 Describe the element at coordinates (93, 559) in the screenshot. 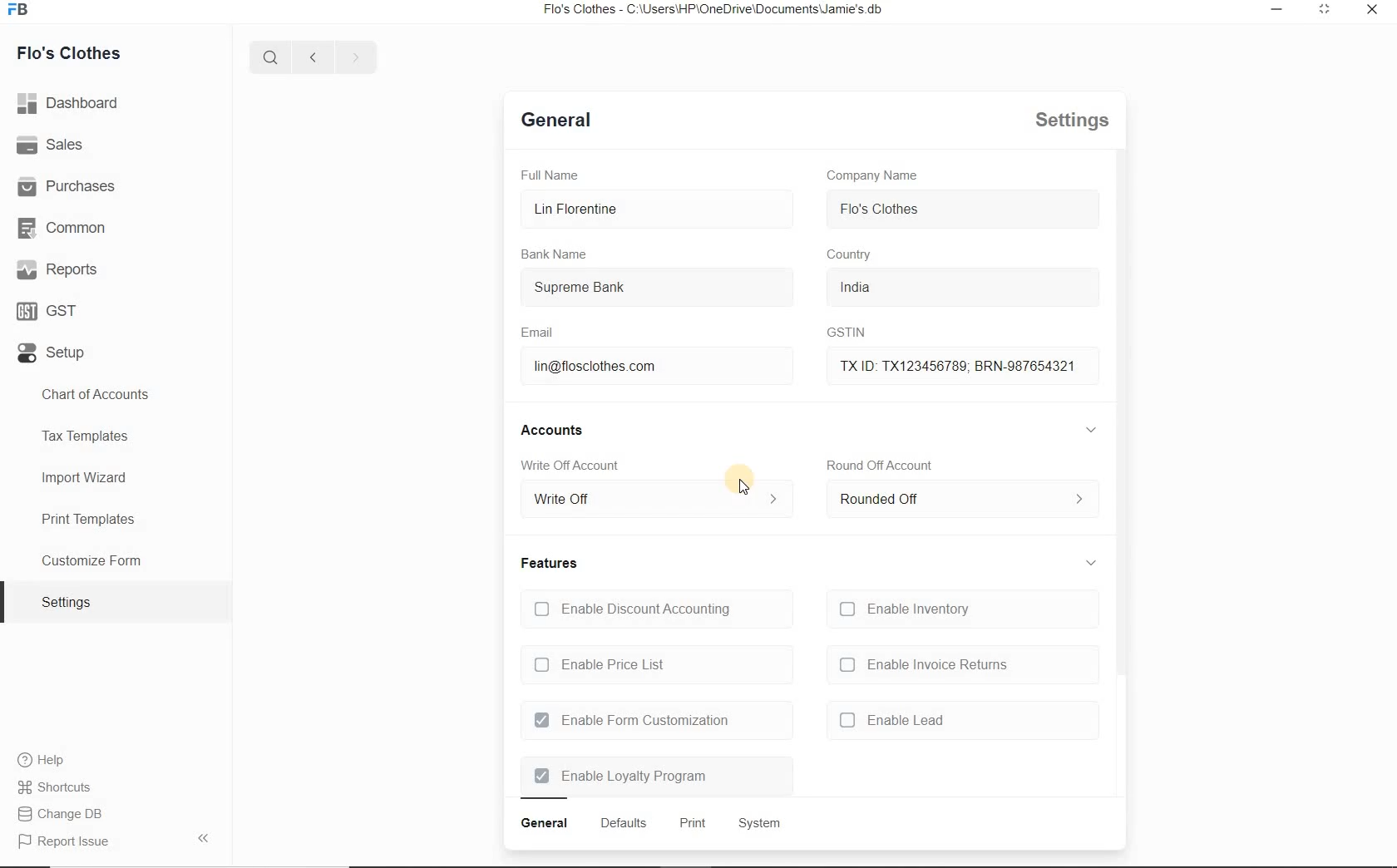

I see `Customize Form` at that location.